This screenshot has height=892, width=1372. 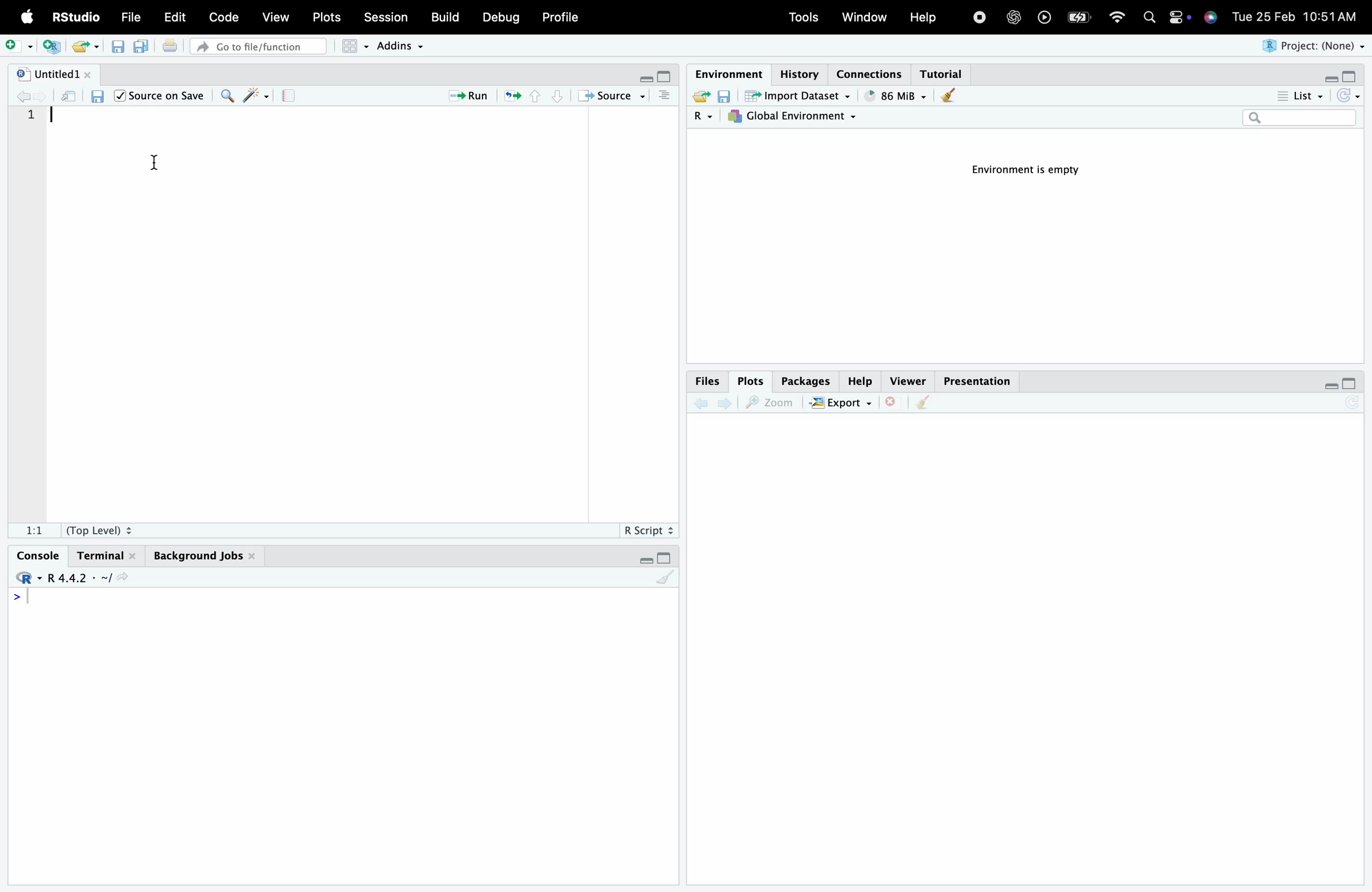 What do you see at coordinates (723, 95) in the screenshot?
I see `save environment variables` at bounding box center [723, 95].